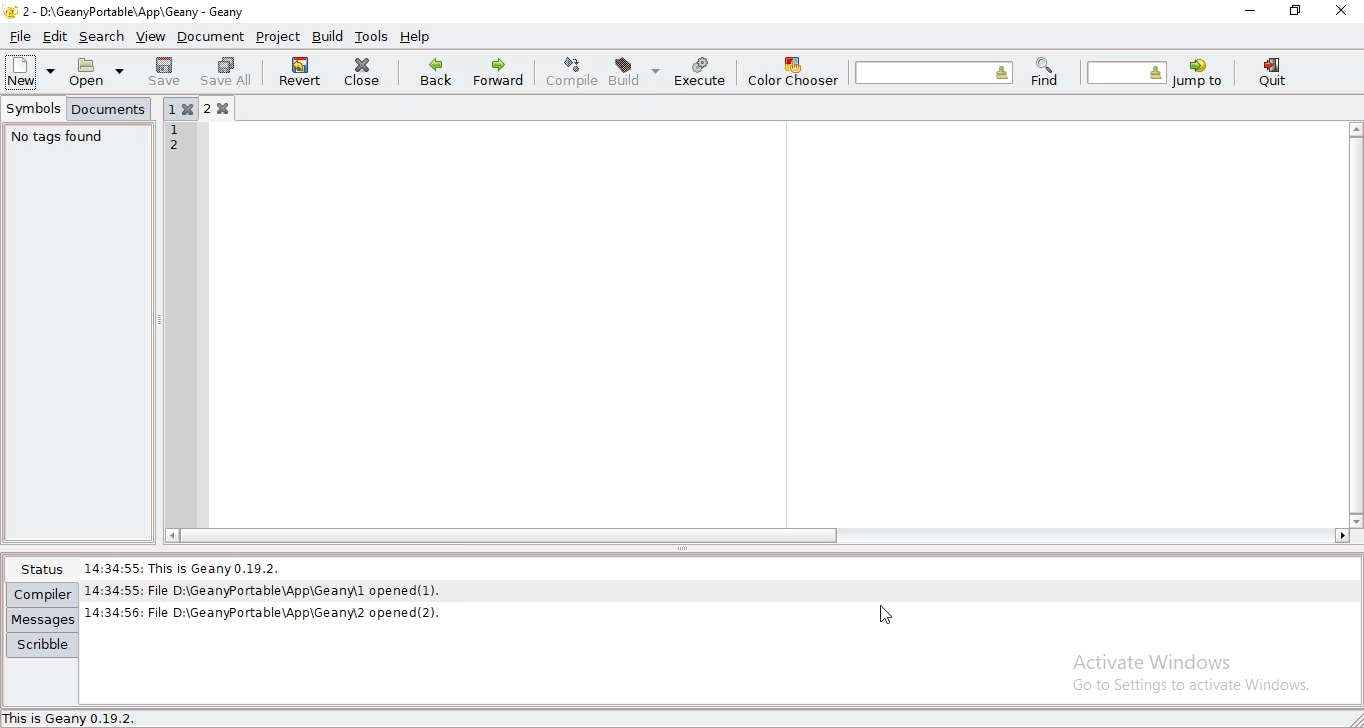  Describe the element at coordinates (934, 71) in the screenshot. I see `find the entered text in the current file` at that location.